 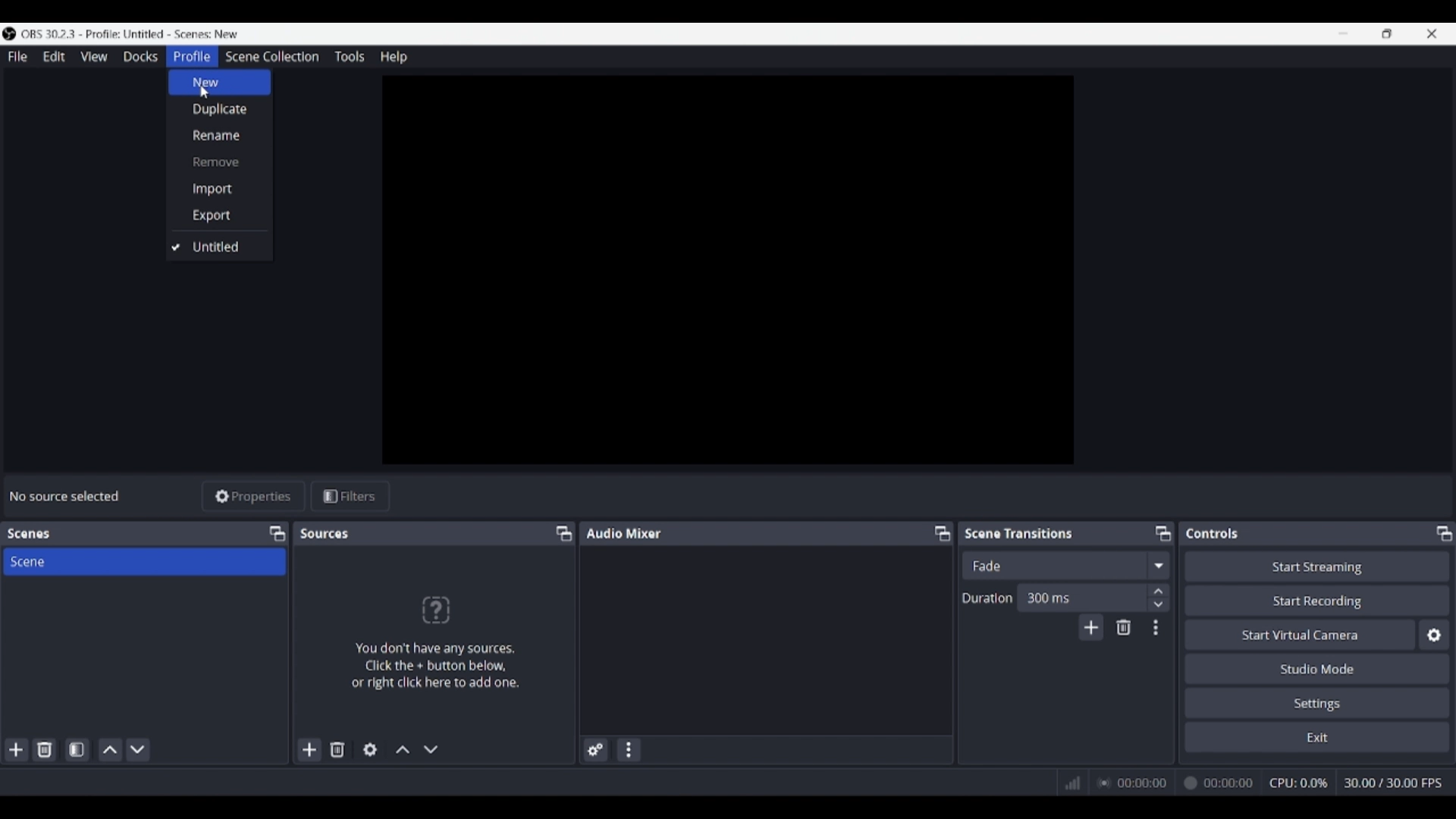 I want to click on Float Audio mixer, so click(x=942, y=533).